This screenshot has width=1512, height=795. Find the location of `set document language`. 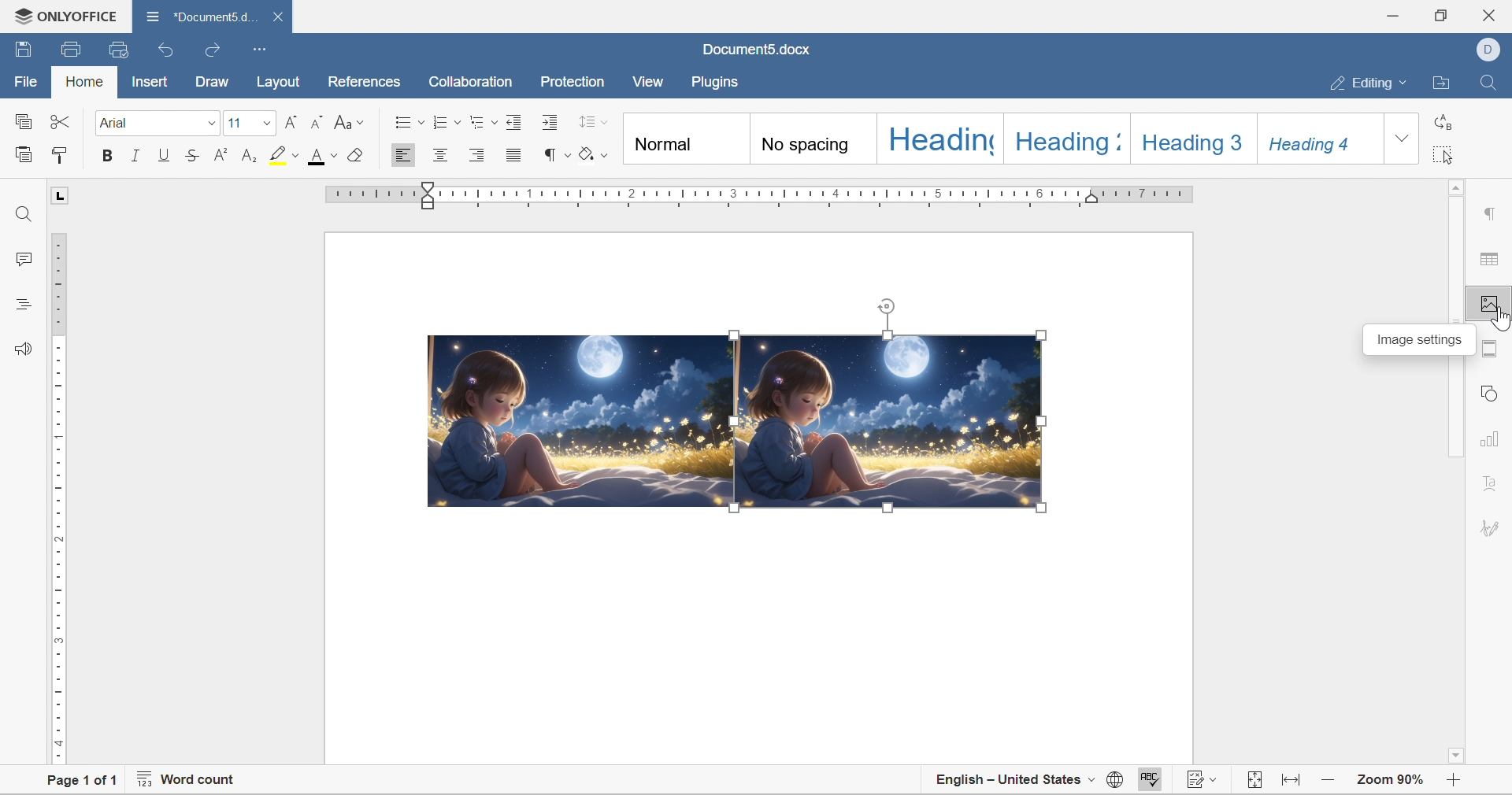

set document language is located at coordinates (1115, 779).